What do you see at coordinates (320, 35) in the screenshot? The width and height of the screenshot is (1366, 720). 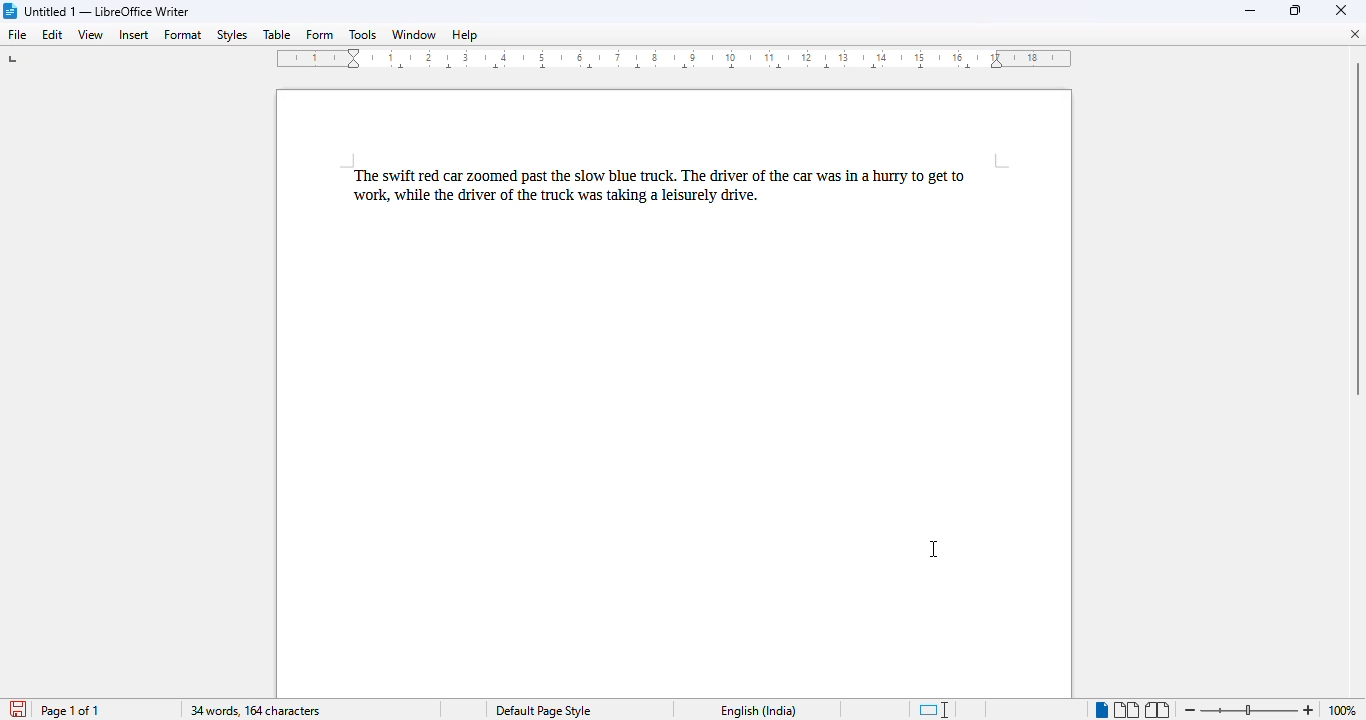 I see `form` at bounding box center [320, 35].